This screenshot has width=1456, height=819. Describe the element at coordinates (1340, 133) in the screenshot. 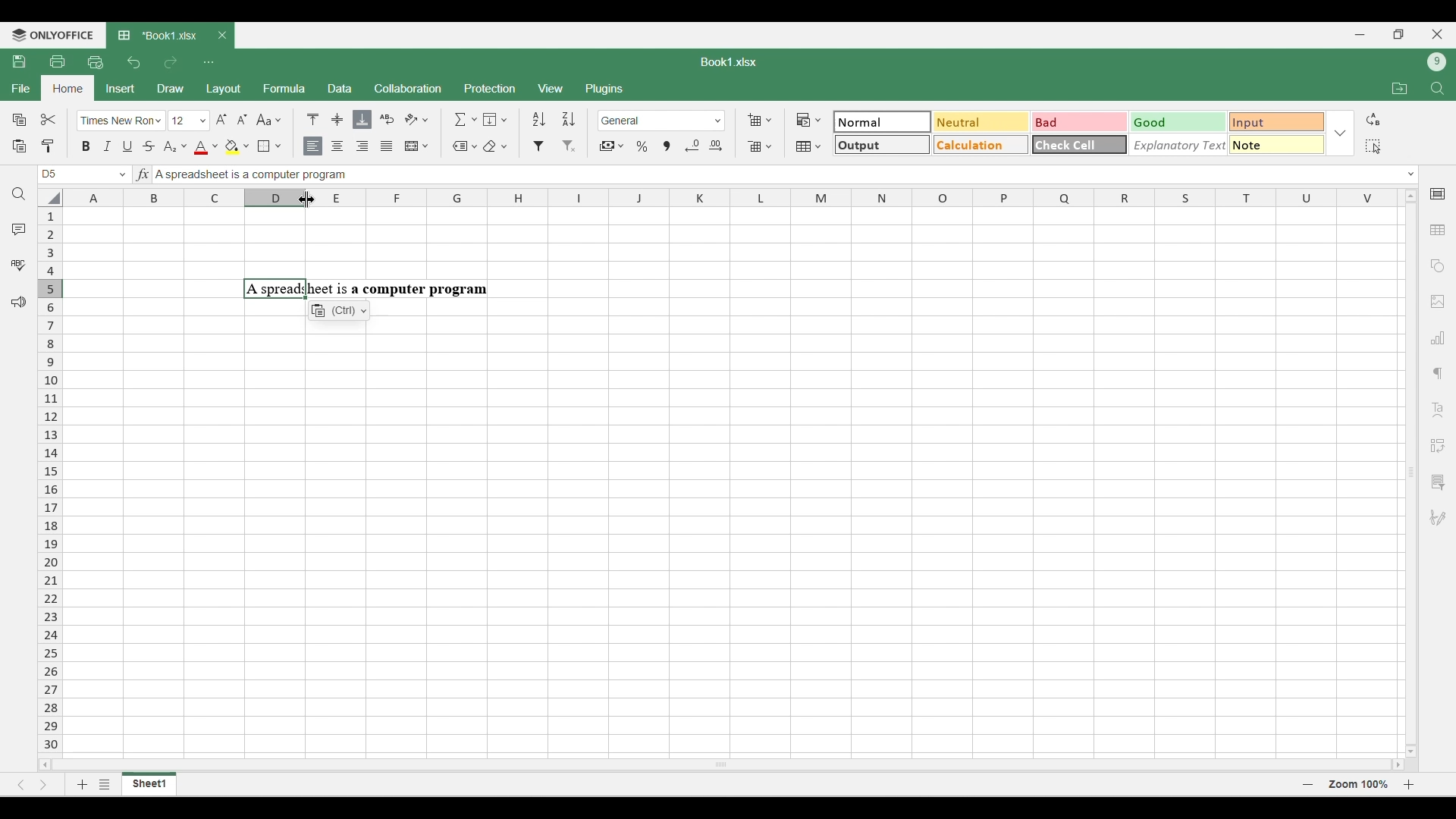

I see `Expand/Collapse` at that location.